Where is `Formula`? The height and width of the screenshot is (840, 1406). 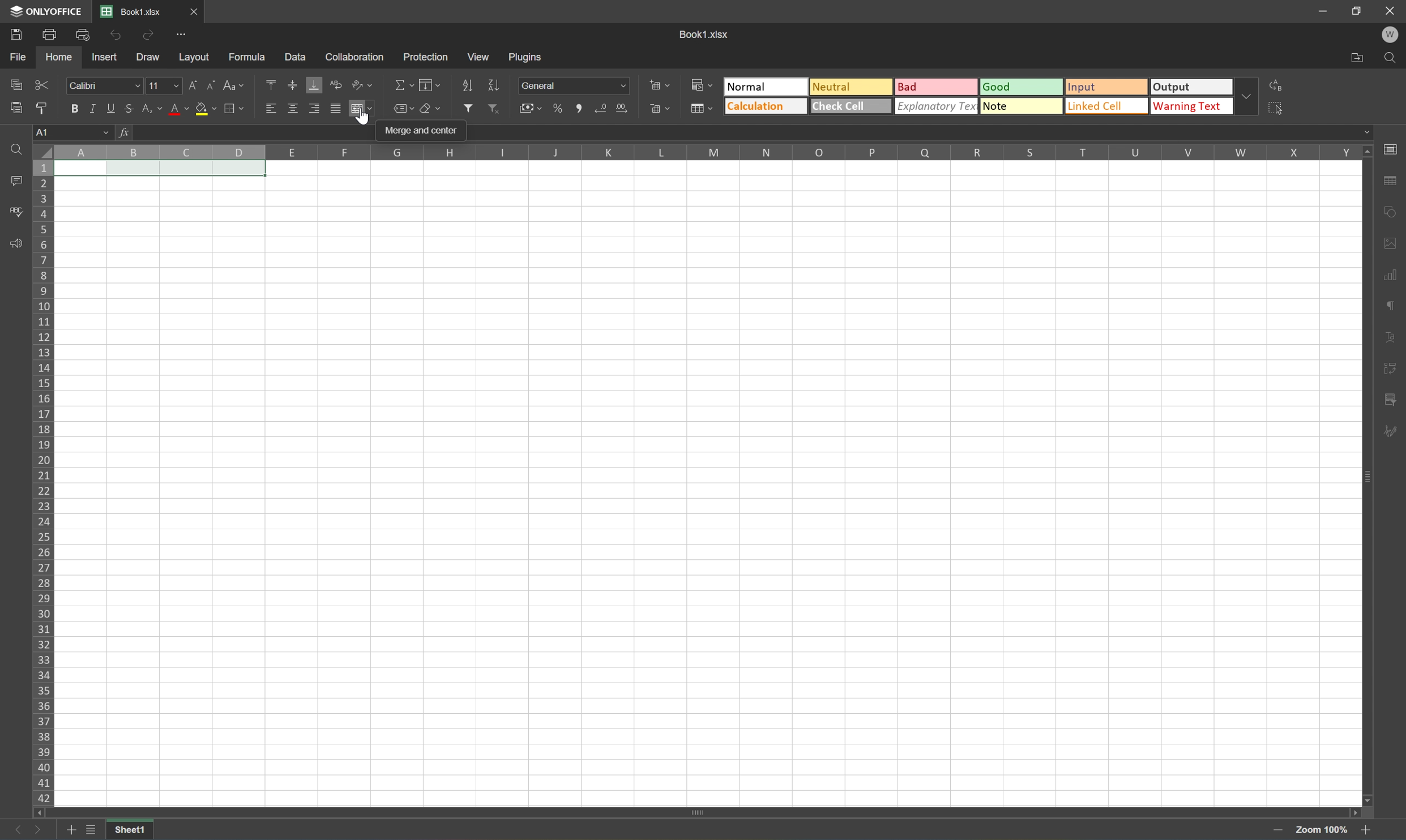 Formula is located at coordinates (251, 56).